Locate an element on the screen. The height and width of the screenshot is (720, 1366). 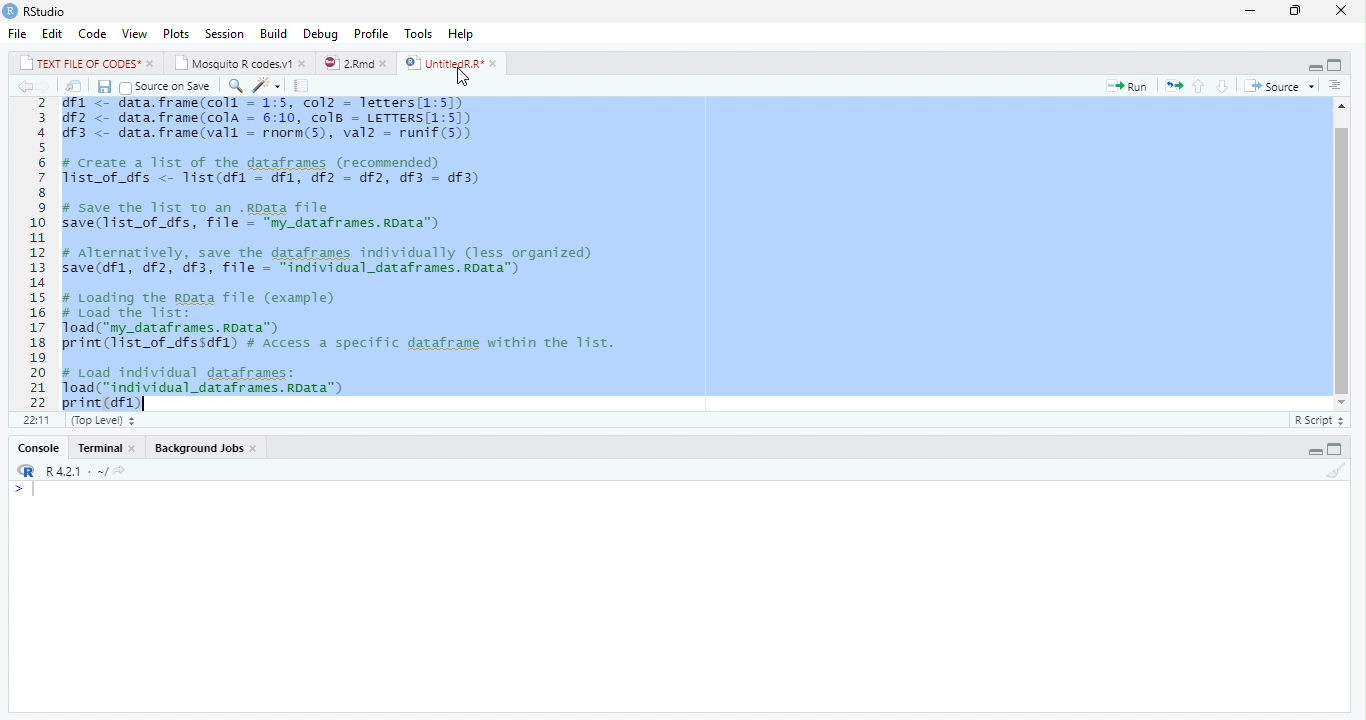
R 4.2.1 - ~/ is located at coordinates (67, 470).